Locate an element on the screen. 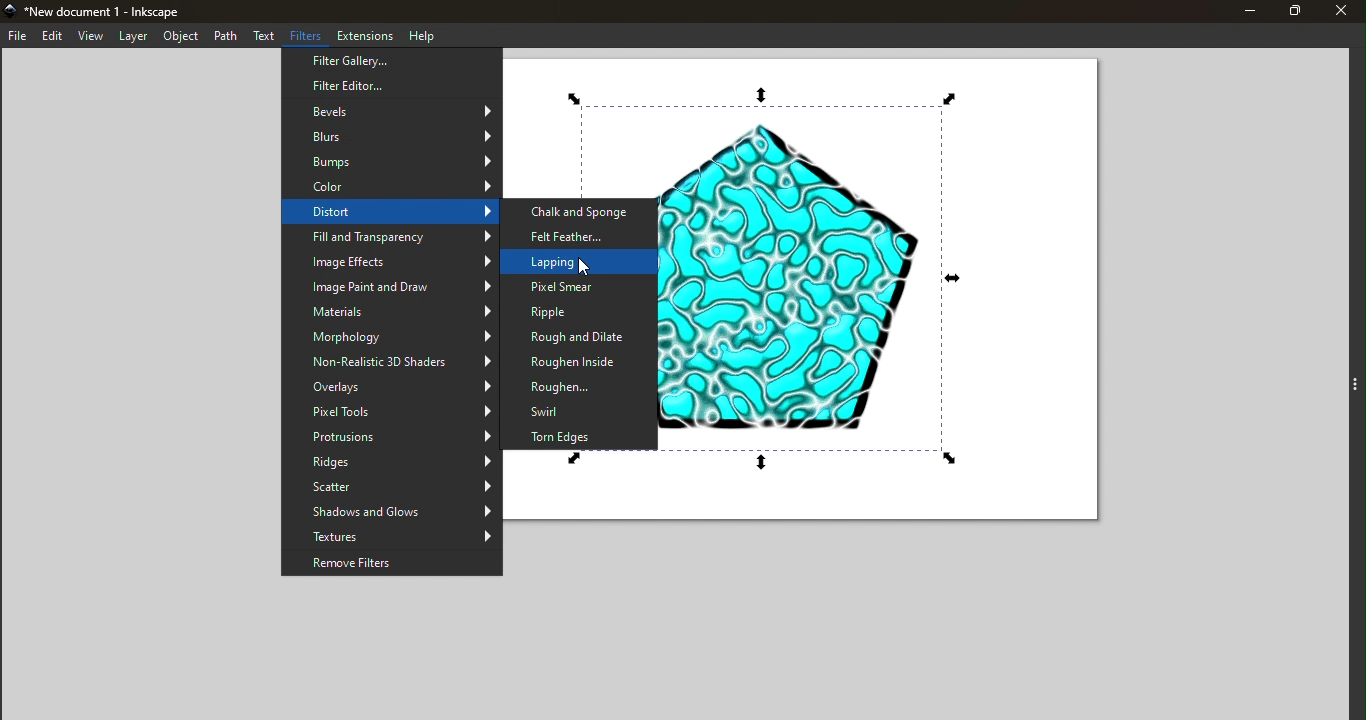 Image resolution: width=1366 pixels, height=720 pixels. Materials is located at coordinates (391, 311).